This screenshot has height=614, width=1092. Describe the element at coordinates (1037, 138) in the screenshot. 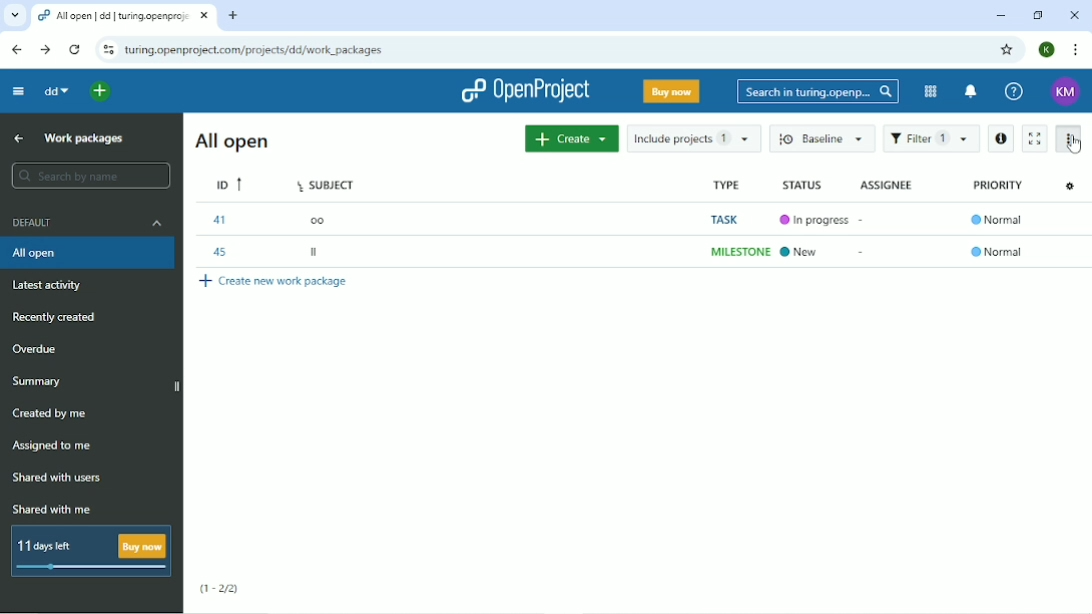

I see `Activate zen mode` at that location.